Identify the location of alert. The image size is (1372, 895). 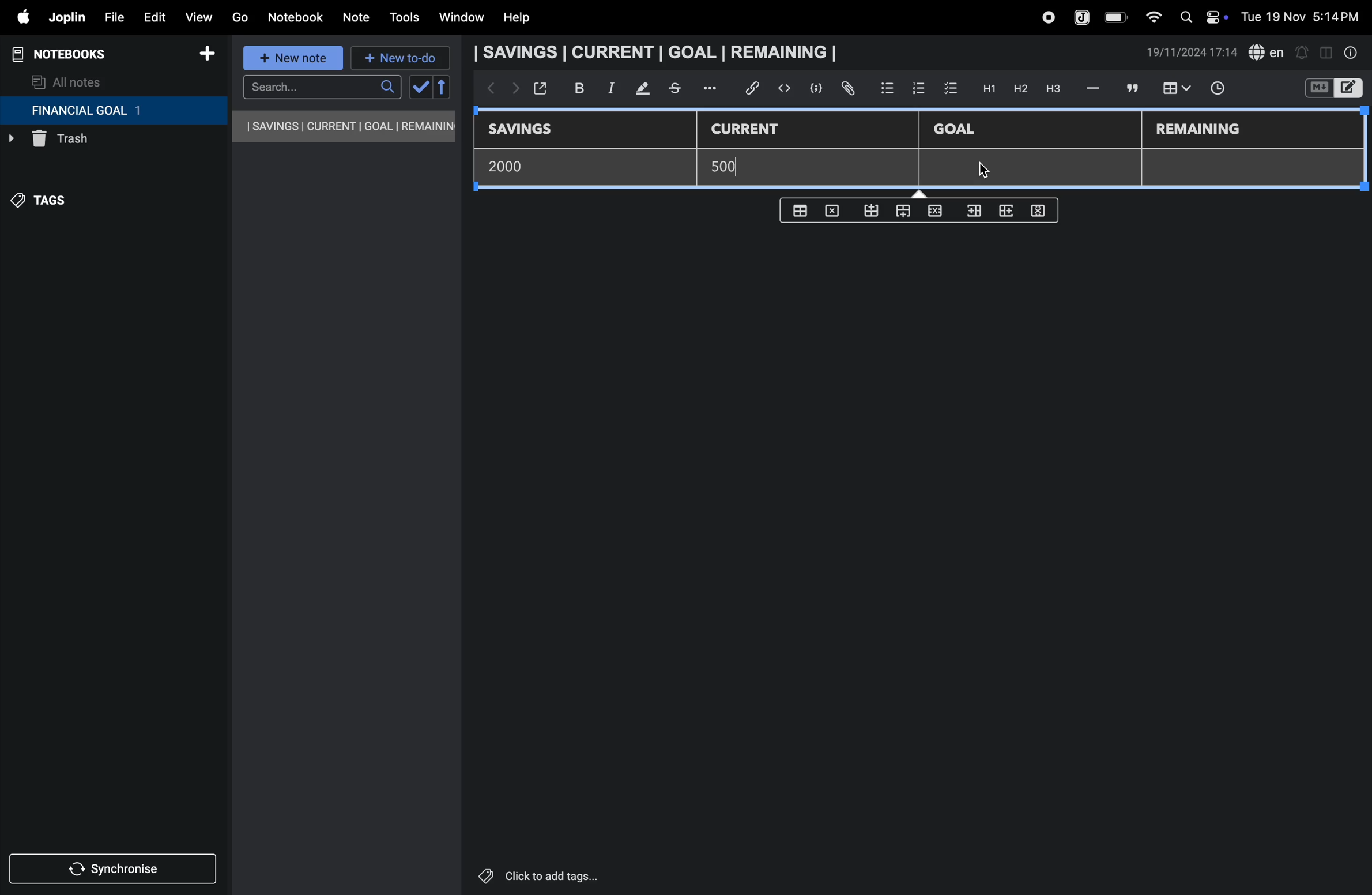
(1301, 52).